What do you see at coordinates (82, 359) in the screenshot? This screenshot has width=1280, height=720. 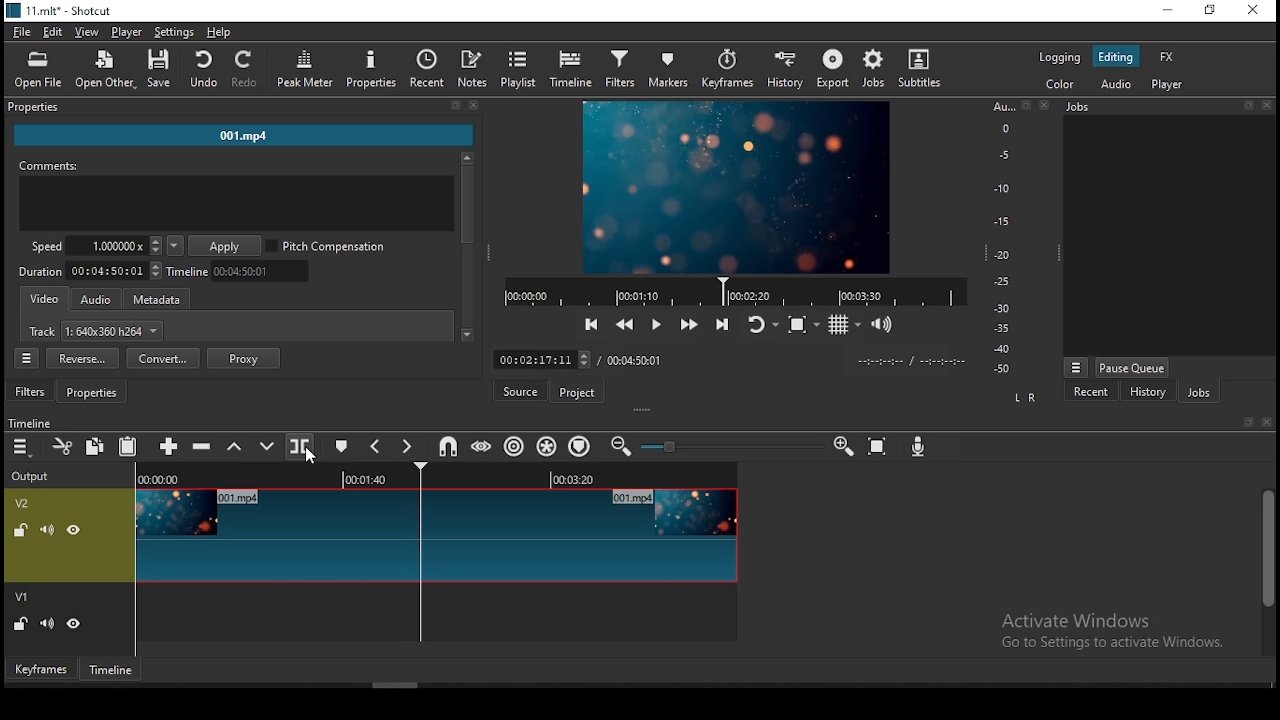 I see `reverse` at bounding box center [82, 359].